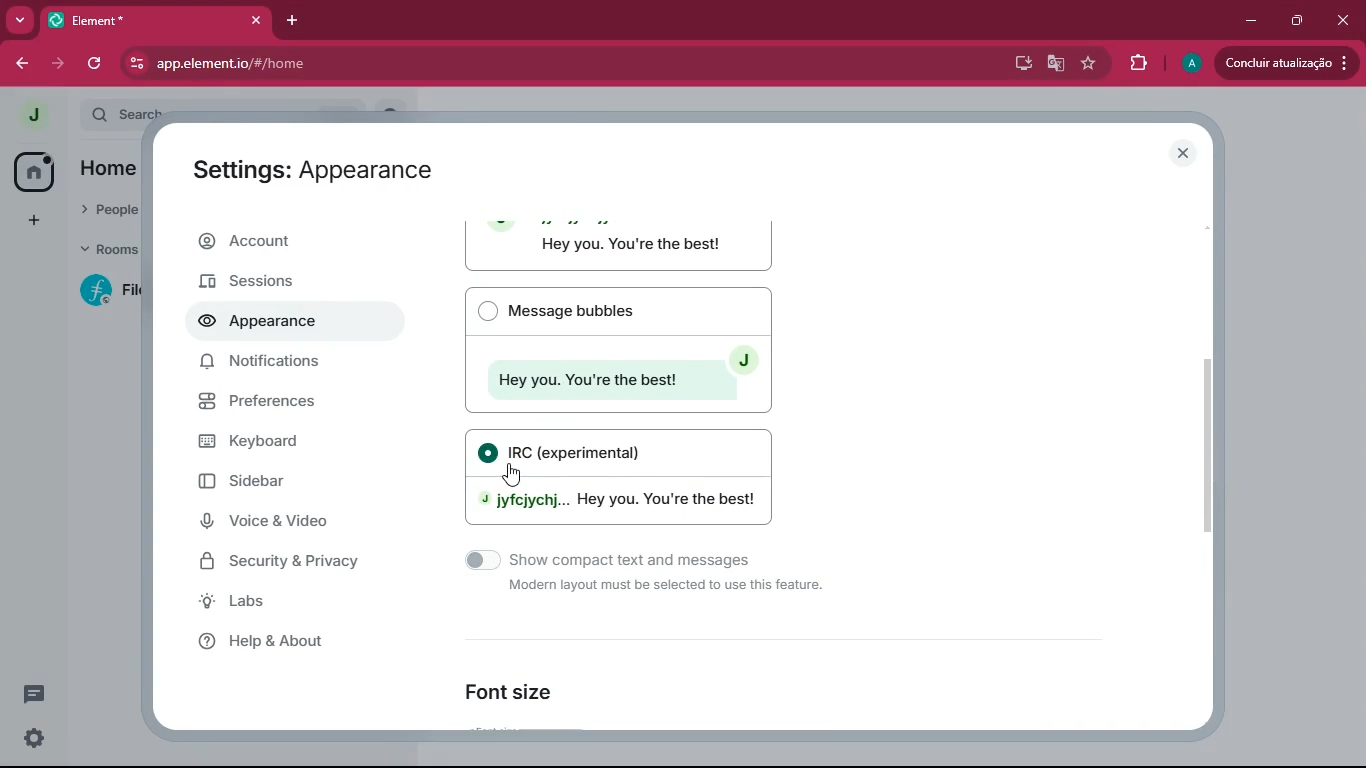  I want to click on settings, so click(34, 739).